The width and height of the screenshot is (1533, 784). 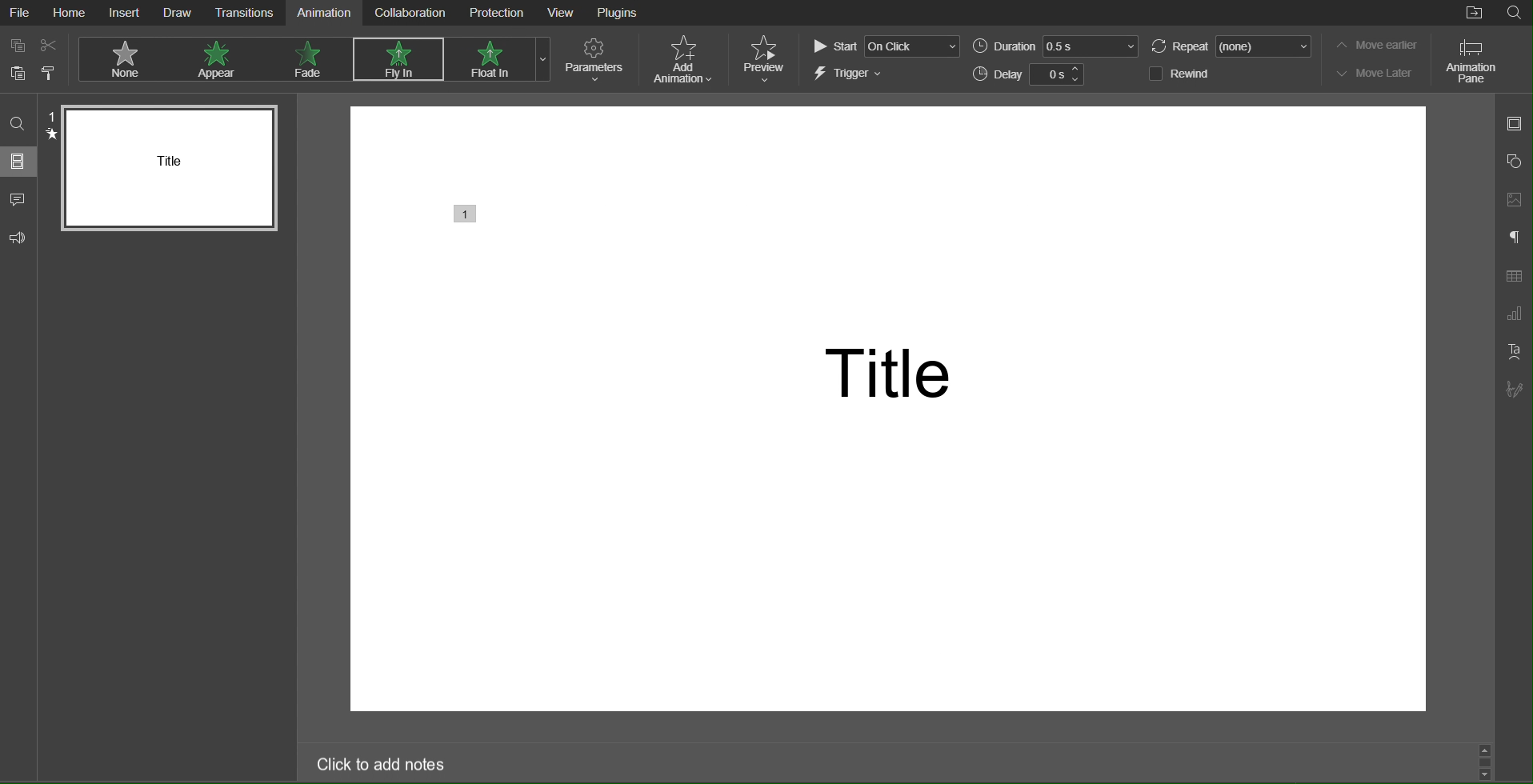 What do you see at coordinates (1180, 74) in the screenshot?
I see `Rewind` at bounding box center [1180, 74].